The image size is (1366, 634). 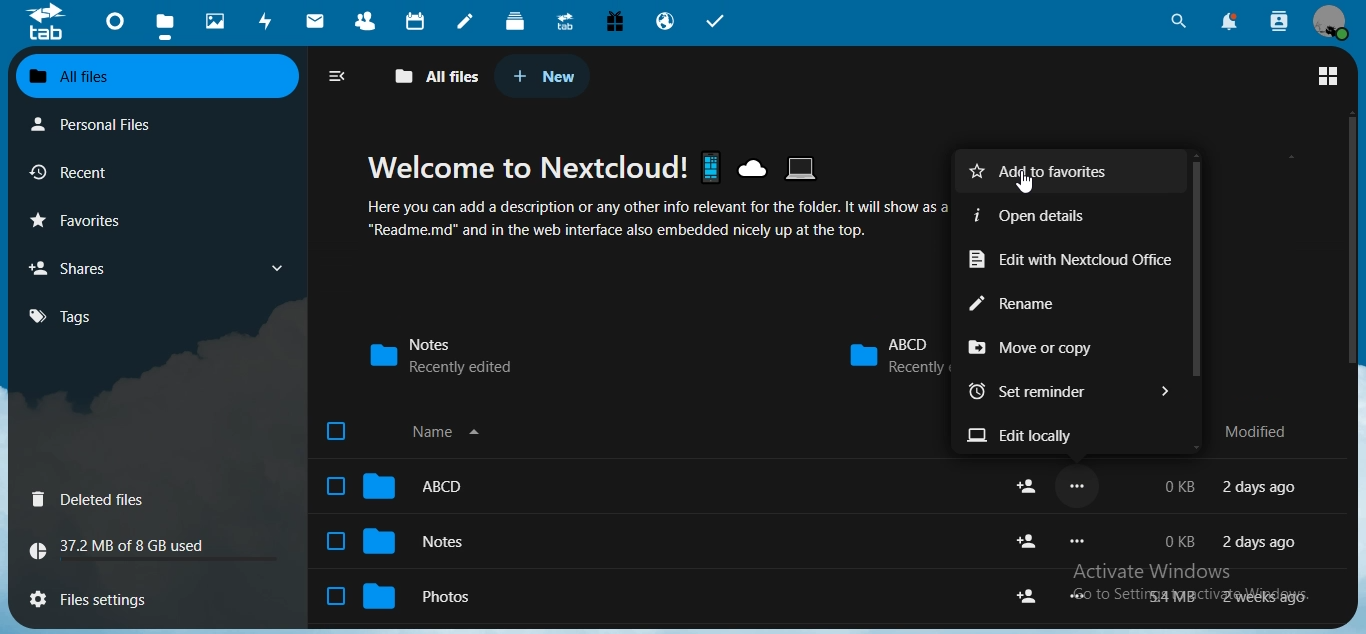 What do you see at coordinates (1328, 75) in the screenshot?
I see `switch to grid view` at bounding box center [1328, 75].